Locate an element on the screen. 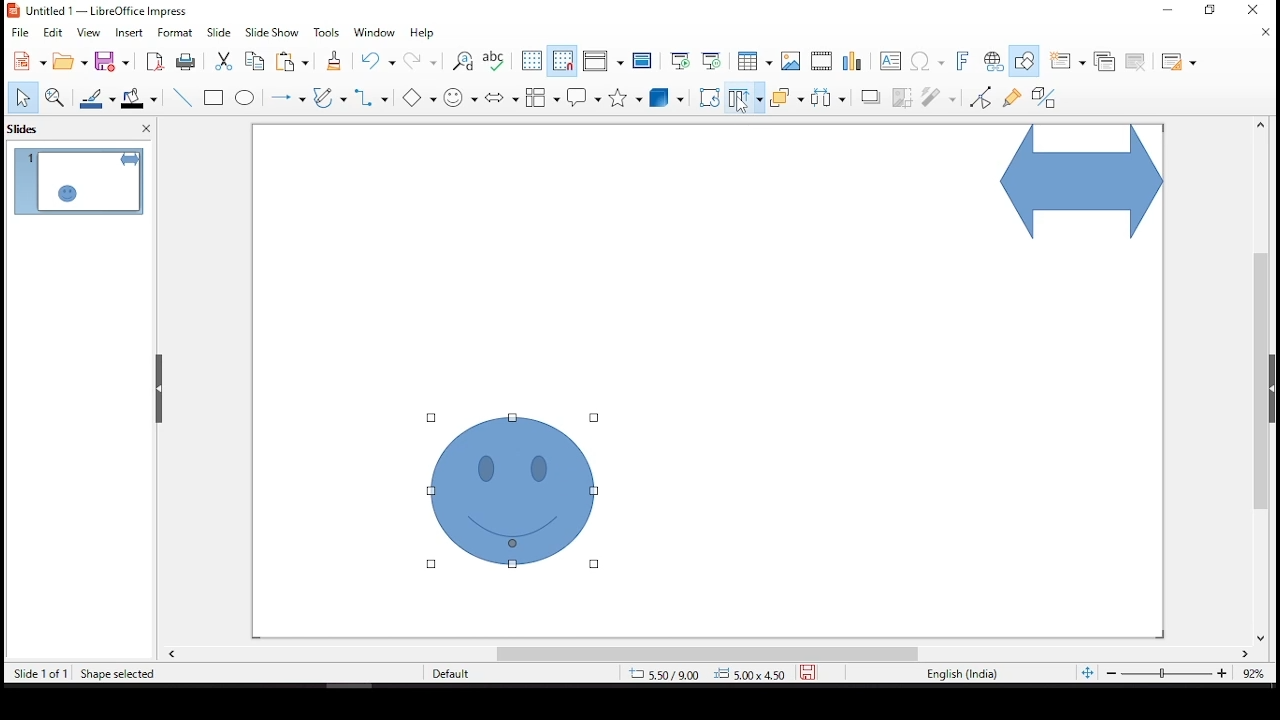 Image resolution: width=1280 pixels, height=720 pixels. text box is located at coordinates (893, 63).